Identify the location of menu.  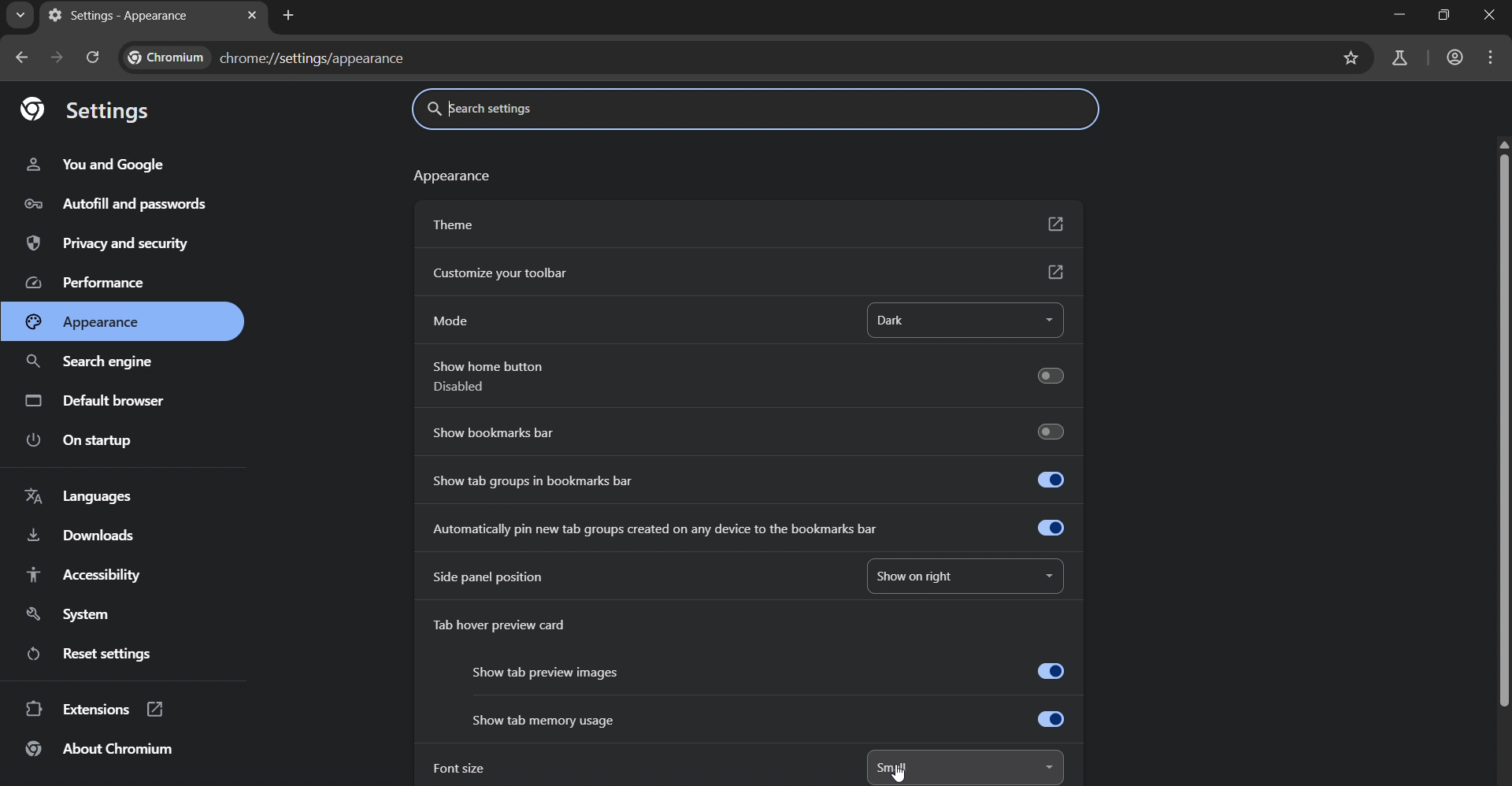
(1493, 60).